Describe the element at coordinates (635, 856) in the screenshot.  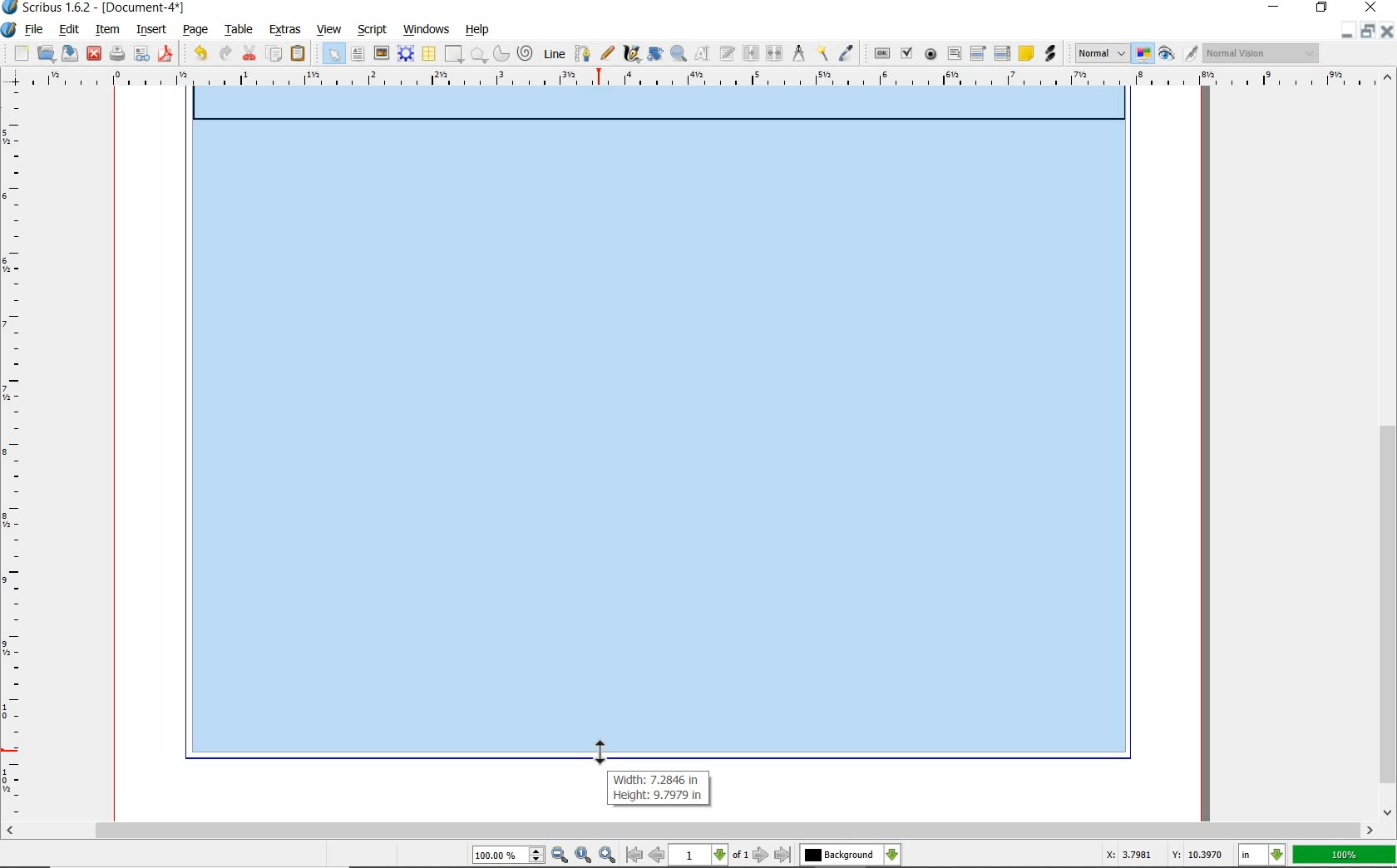
I see `go to first page` at that location.